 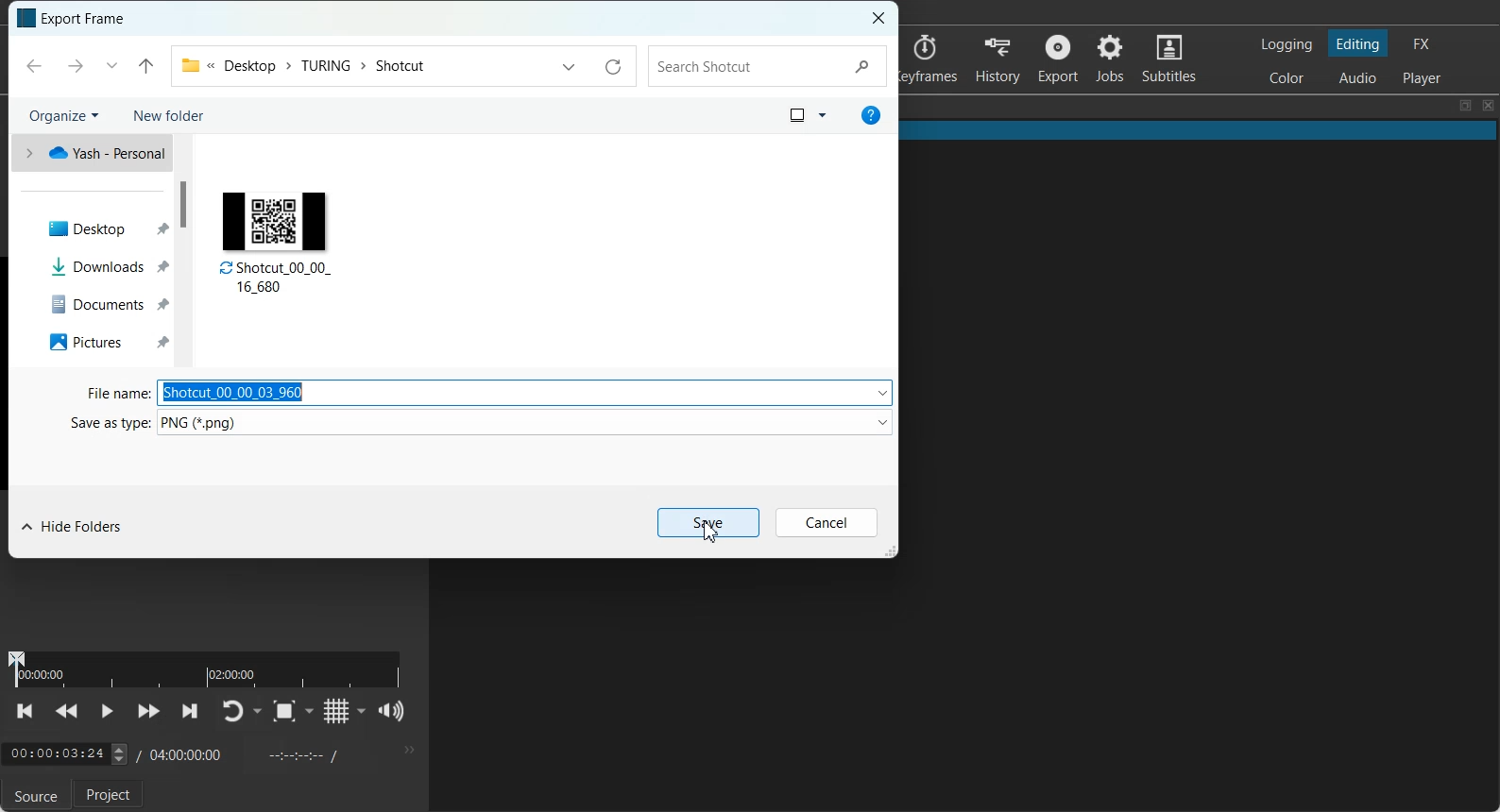 What do you see at coordinates (67, 712) in the screenshot?
I see `Play Quickly Backward` at bounding box center [67, 712].